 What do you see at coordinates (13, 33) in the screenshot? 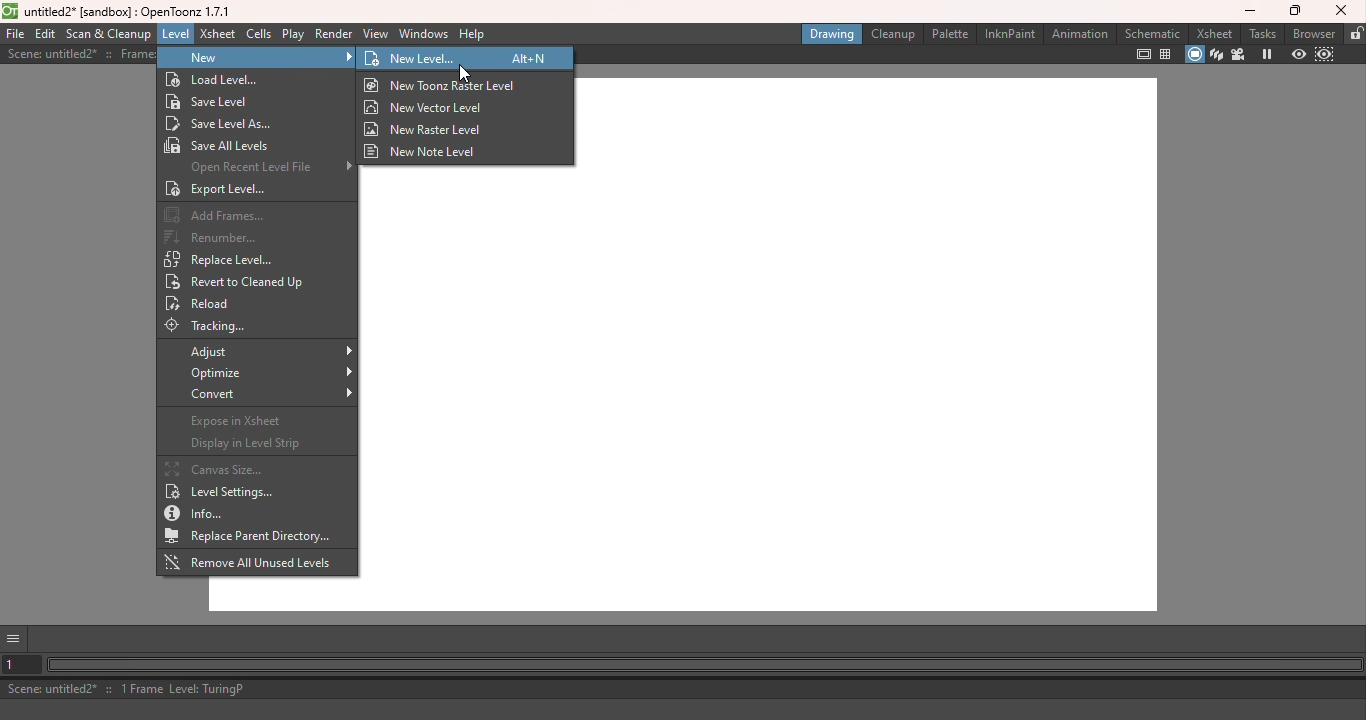
I see `File` at bounding box center [13, 33].